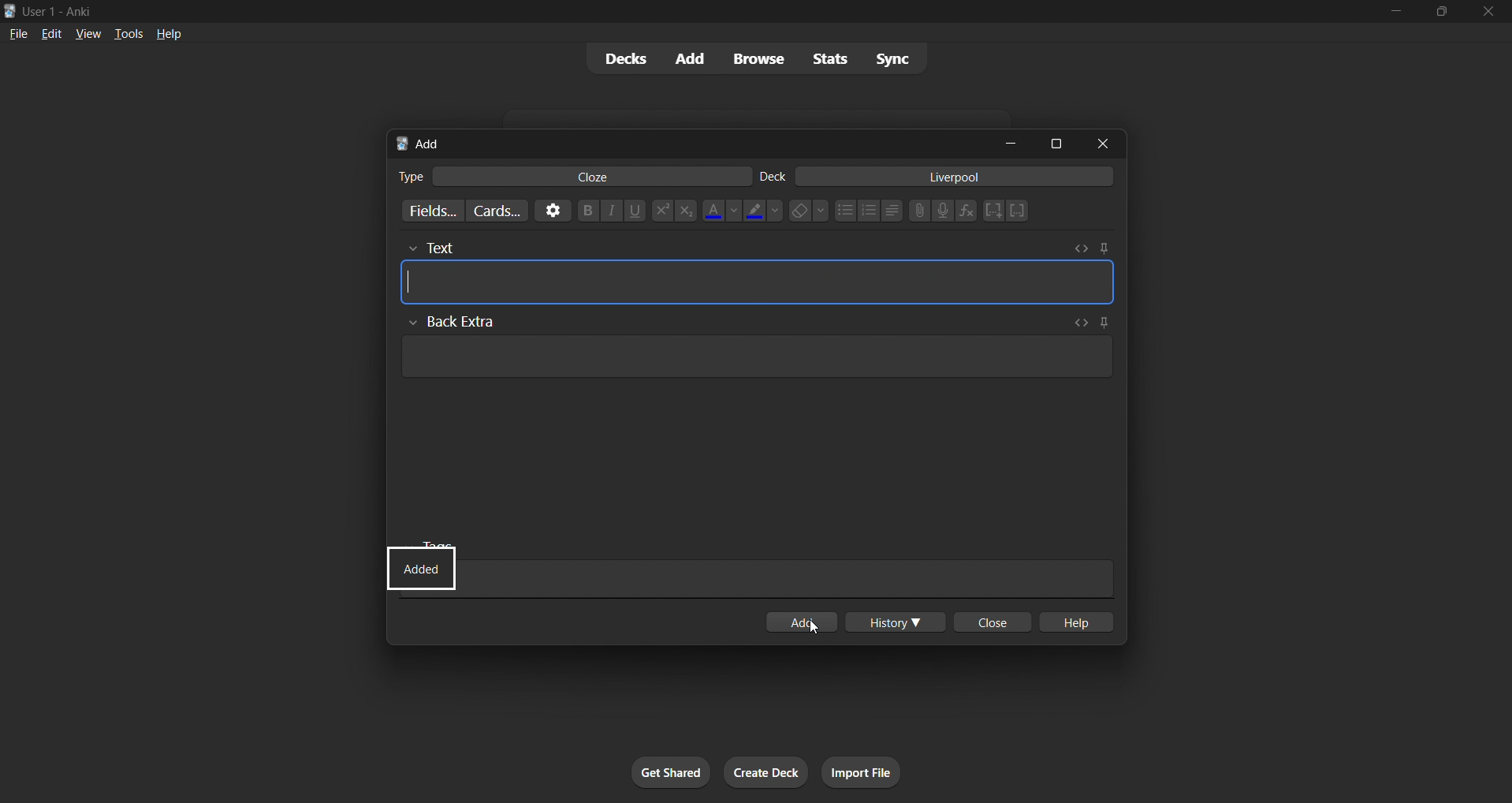 The width and height of the screenshot is (1512, 803). Describe the element at coordinates (460, 321) in the screenshot. I see `Back Extra` at that location.